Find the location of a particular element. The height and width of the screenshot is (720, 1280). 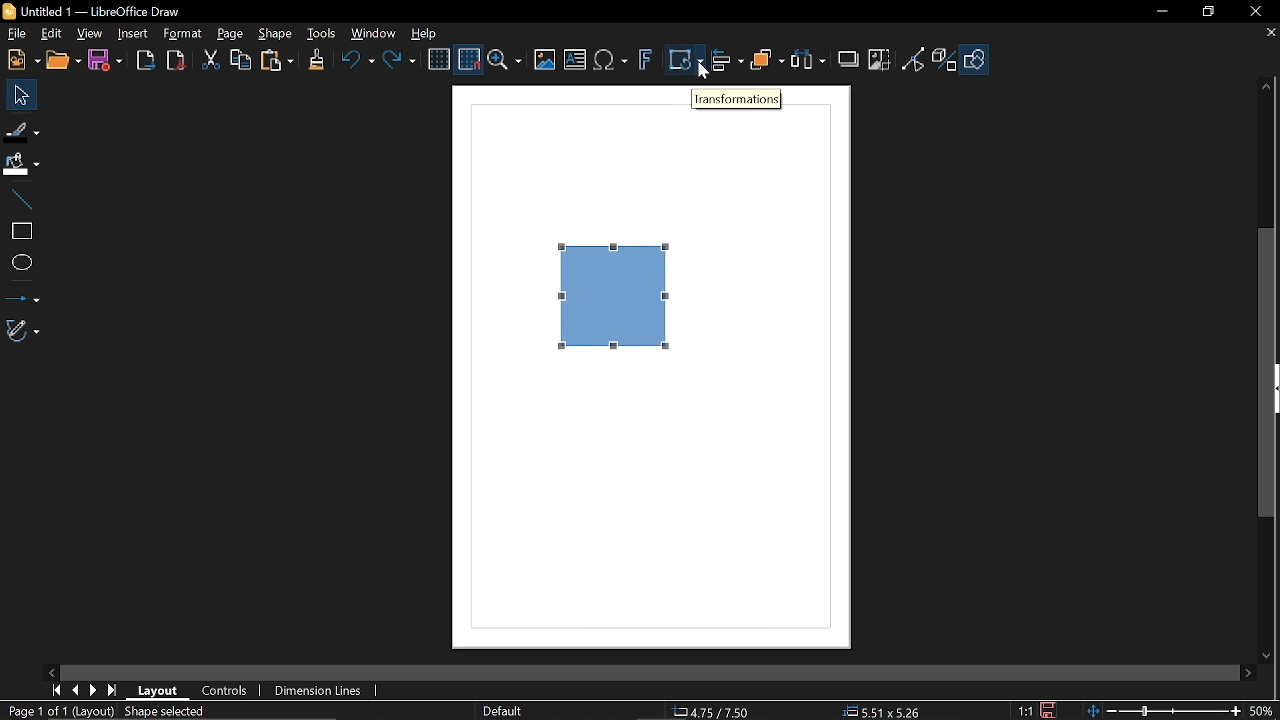

Zoom is located at coordinates (506, 60).